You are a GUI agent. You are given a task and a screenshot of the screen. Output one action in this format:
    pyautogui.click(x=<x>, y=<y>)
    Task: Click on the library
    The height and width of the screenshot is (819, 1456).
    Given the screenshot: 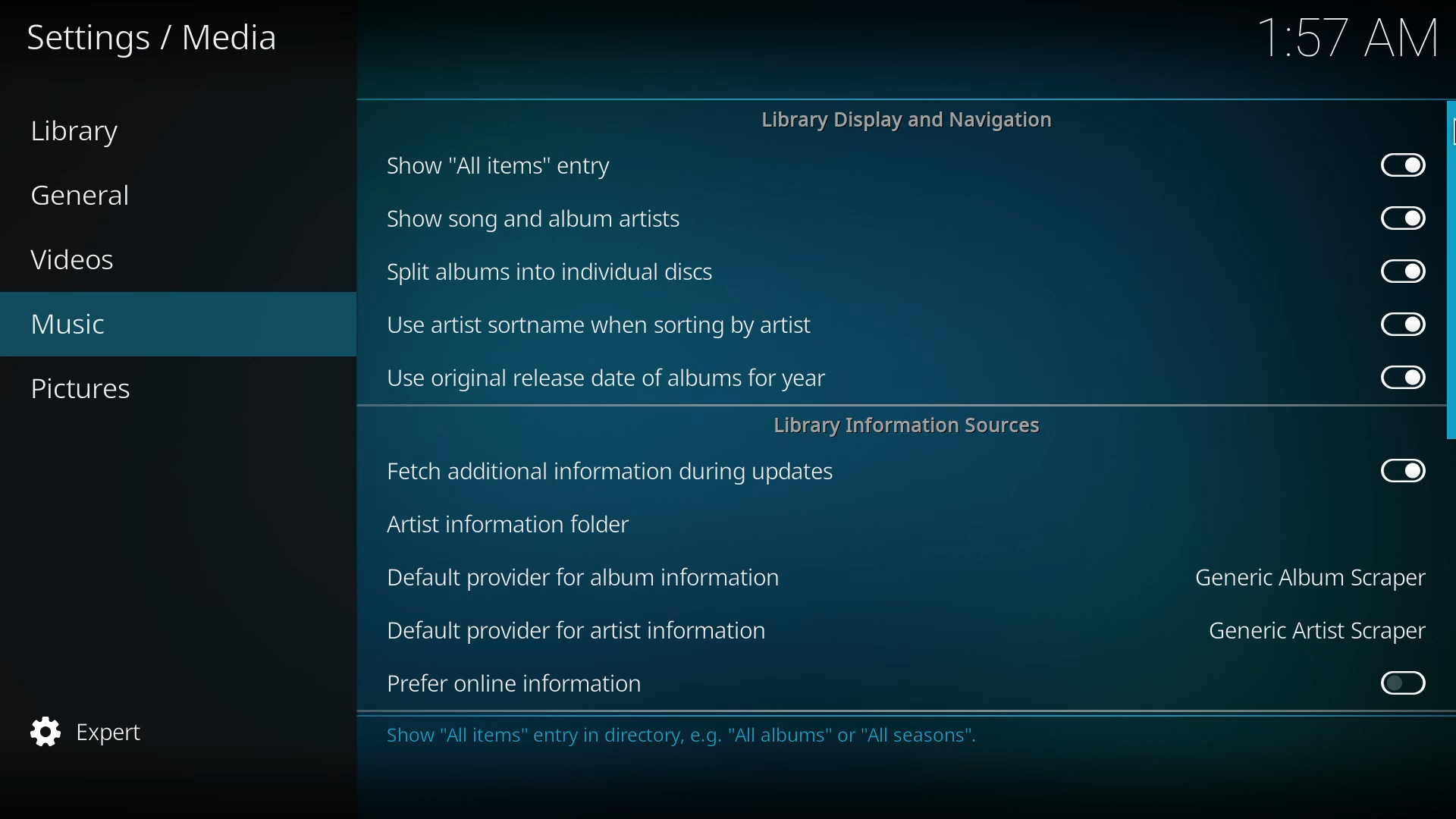 What is the action you would take?
    pyautogui.click(x=85, y=133)
    